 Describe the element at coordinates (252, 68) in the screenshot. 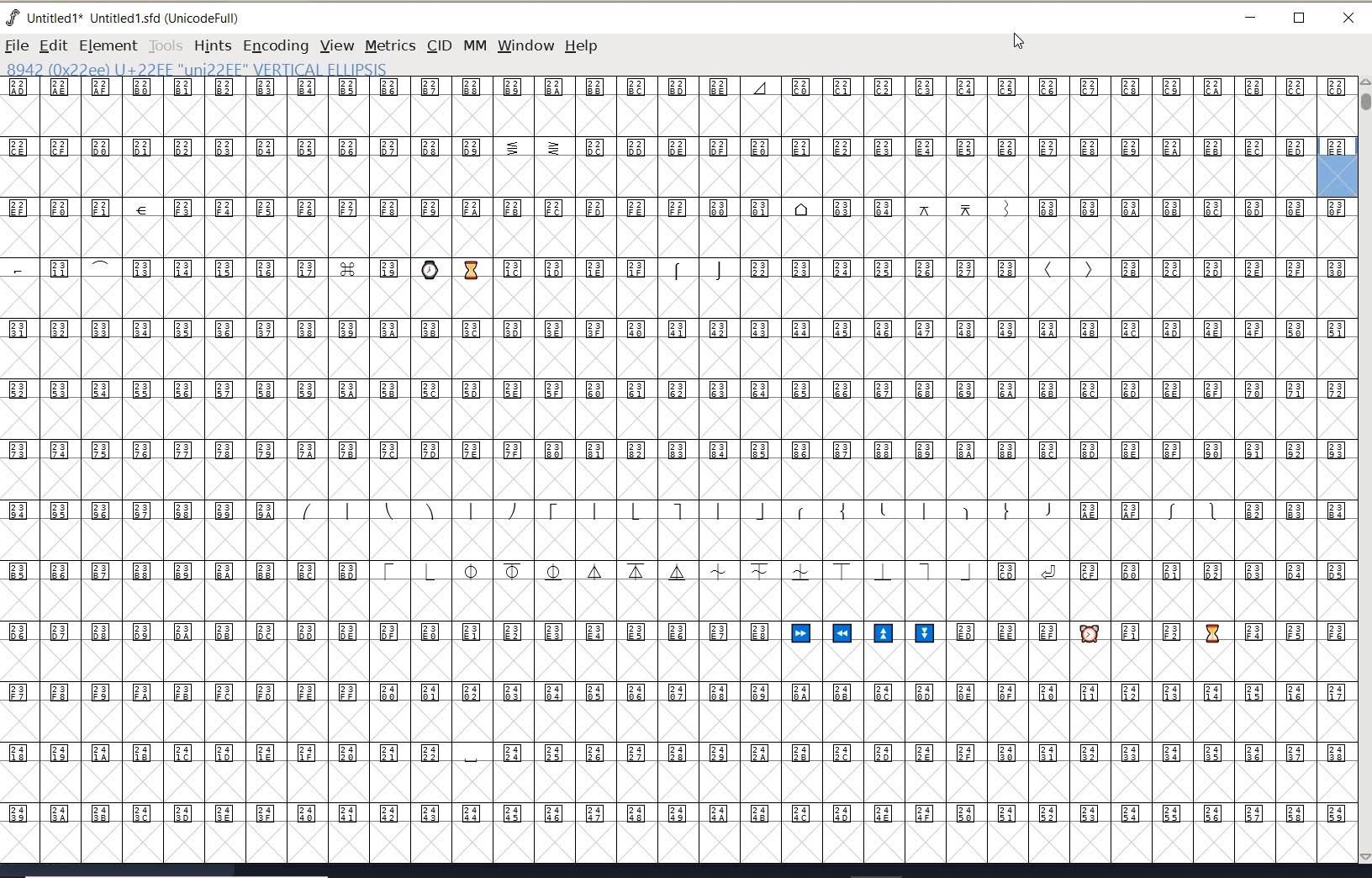

I see `8942 (0x22ee) U+22EE "uni22EE" VERTICAL EllIPSIS` at that location.